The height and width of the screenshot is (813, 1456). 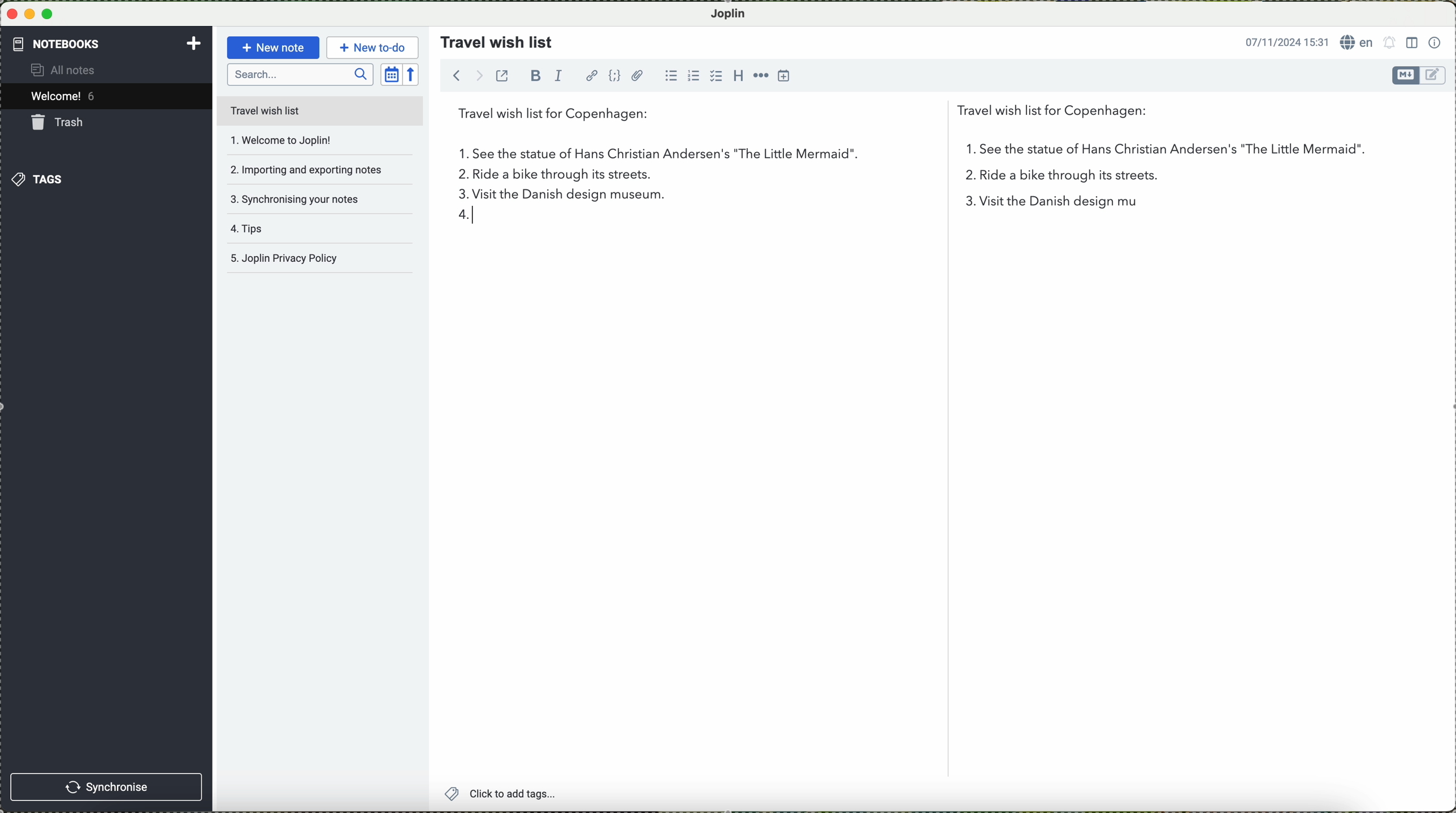 I want to click on heading, so click(x=736, y=75).